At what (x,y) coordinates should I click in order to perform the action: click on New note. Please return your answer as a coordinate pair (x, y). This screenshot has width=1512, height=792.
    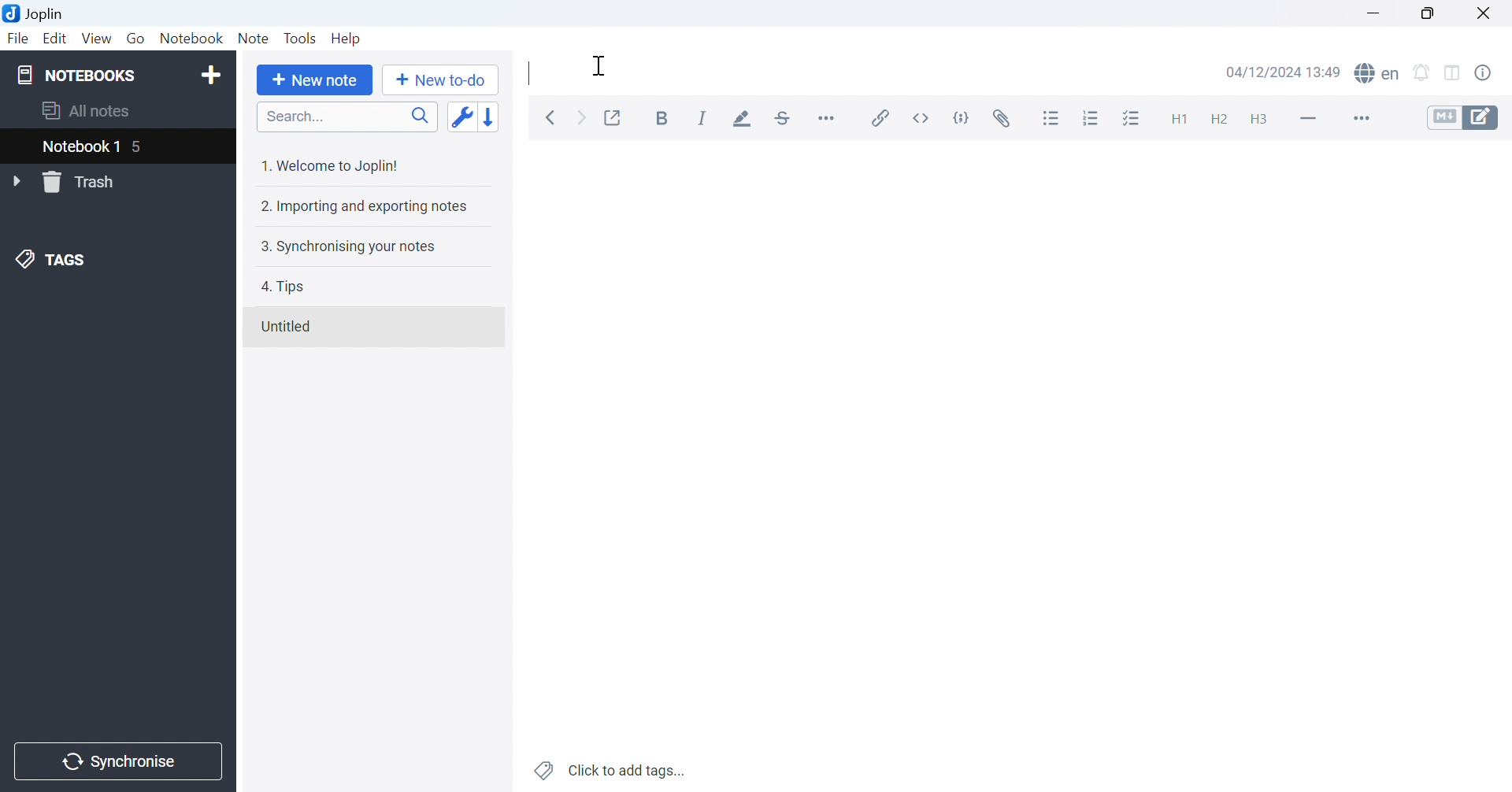
    Looking at the image, I should click on (318, 81).